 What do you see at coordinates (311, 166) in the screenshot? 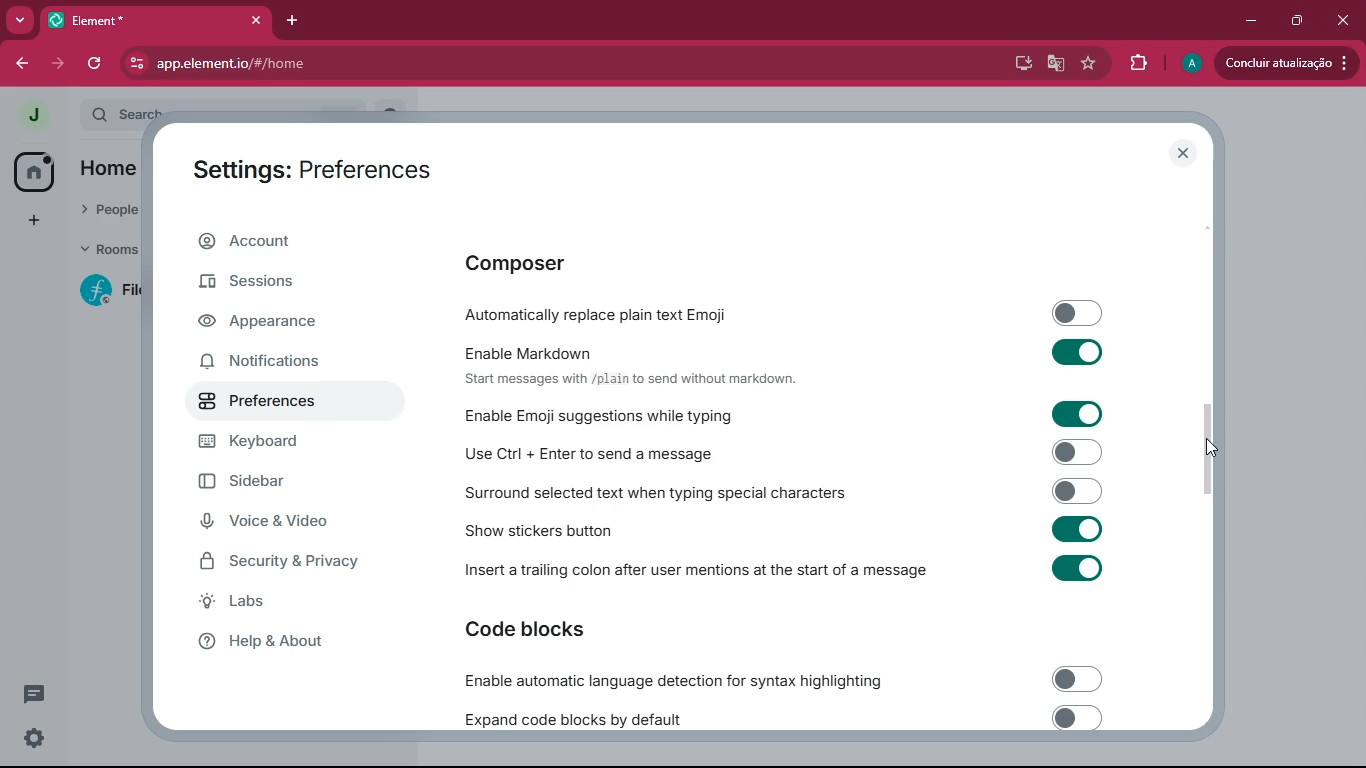
I see `Settings: Preferences` at bounding box center [311, 166].